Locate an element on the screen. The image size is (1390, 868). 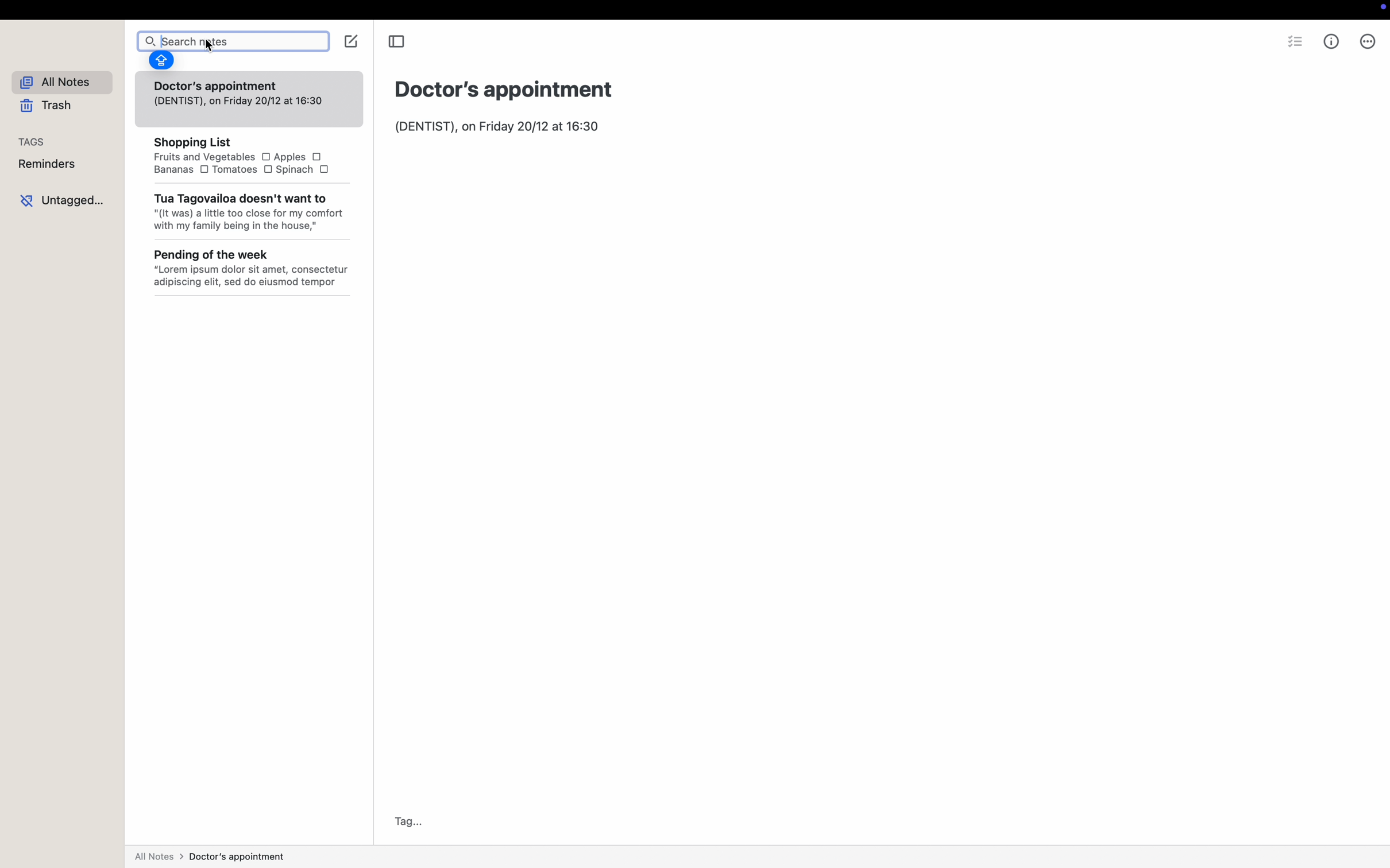
cursor is located at coordinates (210, 49).